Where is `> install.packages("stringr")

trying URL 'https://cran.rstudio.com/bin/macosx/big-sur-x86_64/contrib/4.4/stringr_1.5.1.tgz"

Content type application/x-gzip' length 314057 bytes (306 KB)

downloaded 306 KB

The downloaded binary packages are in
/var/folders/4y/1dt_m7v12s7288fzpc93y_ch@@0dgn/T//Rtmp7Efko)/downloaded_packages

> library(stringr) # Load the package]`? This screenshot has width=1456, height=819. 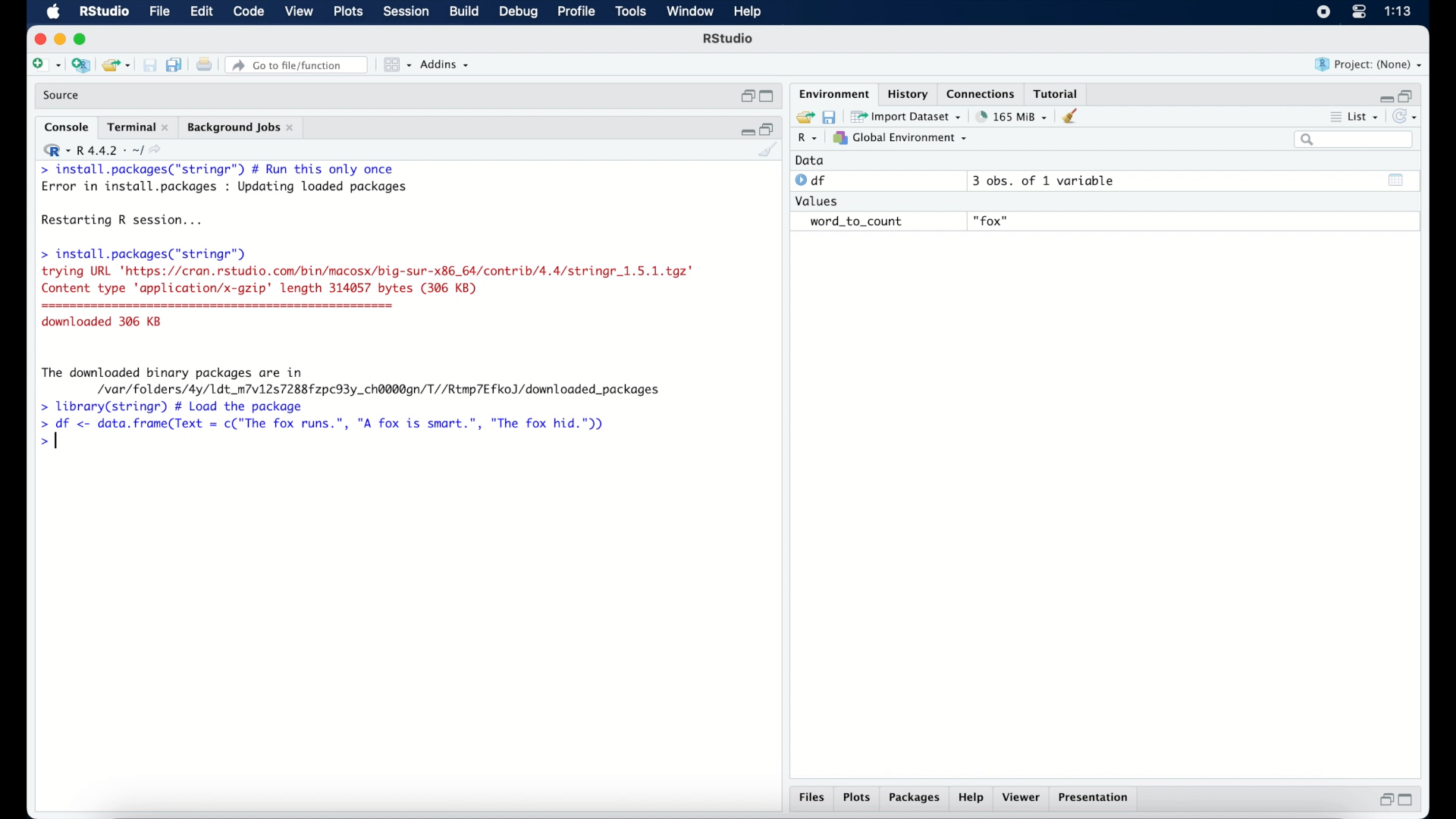 > install.packages("stringr")

trying URL 'https://cran.rstudio.com/bin/macosx/big-sur-x86_64/contrib/4.4/stringr_1.5.1.tgz"

Content type application/x-gzip' length 314057 bytes (306 KB)

downloaded 306 KB

The downloaded binary packages are in
/var/folders/4y/1dt_m7v12s7288fzpc93y_ch@@0dgn/T//Rtmp7Efko)/downloaded_packages

> library(stringr) # Load the package] is located at coordinates (367, 330).